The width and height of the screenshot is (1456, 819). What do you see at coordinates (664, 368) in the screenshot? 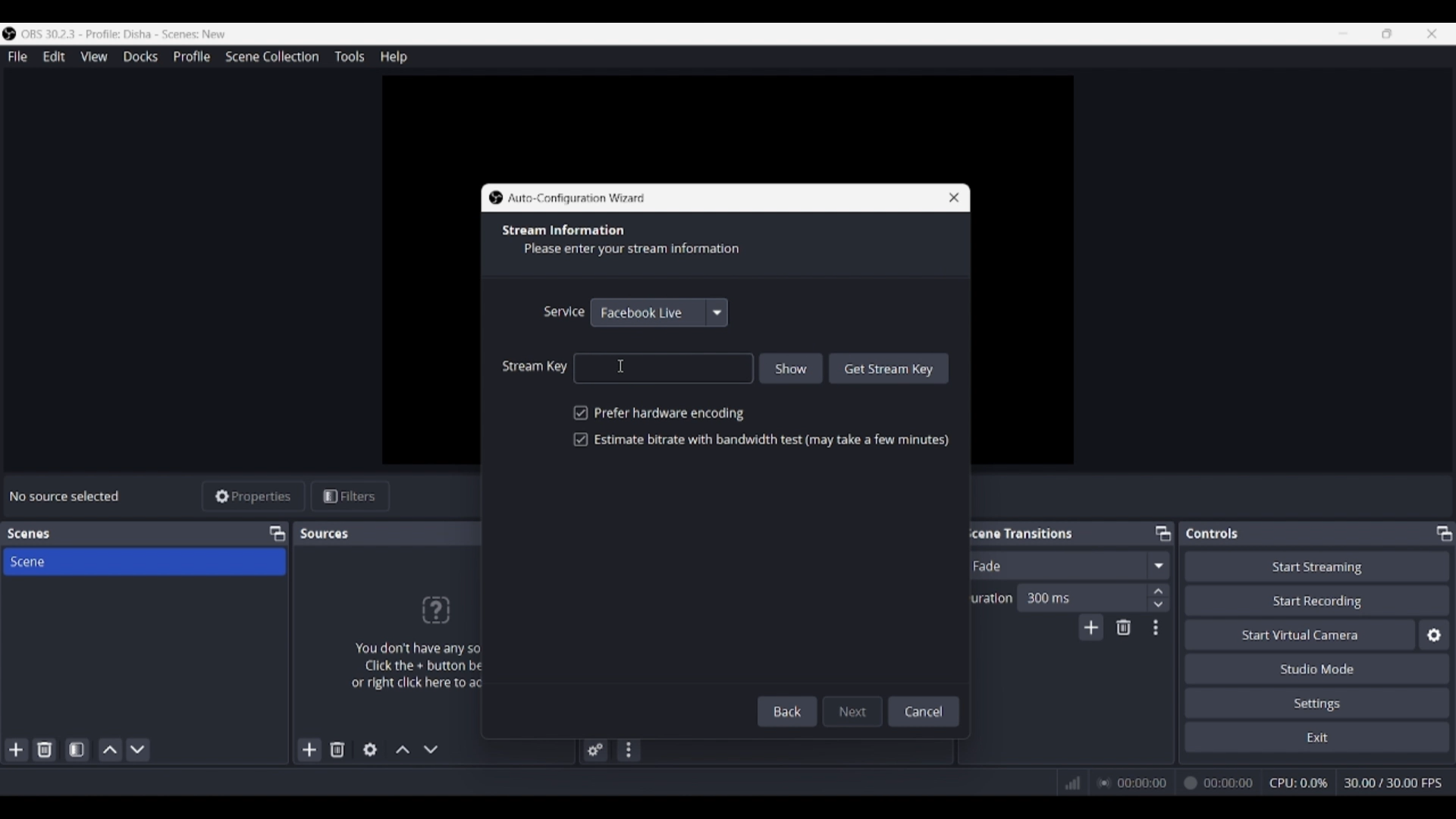
I see `Text box to input stream key` at bounding box center [664, 368].